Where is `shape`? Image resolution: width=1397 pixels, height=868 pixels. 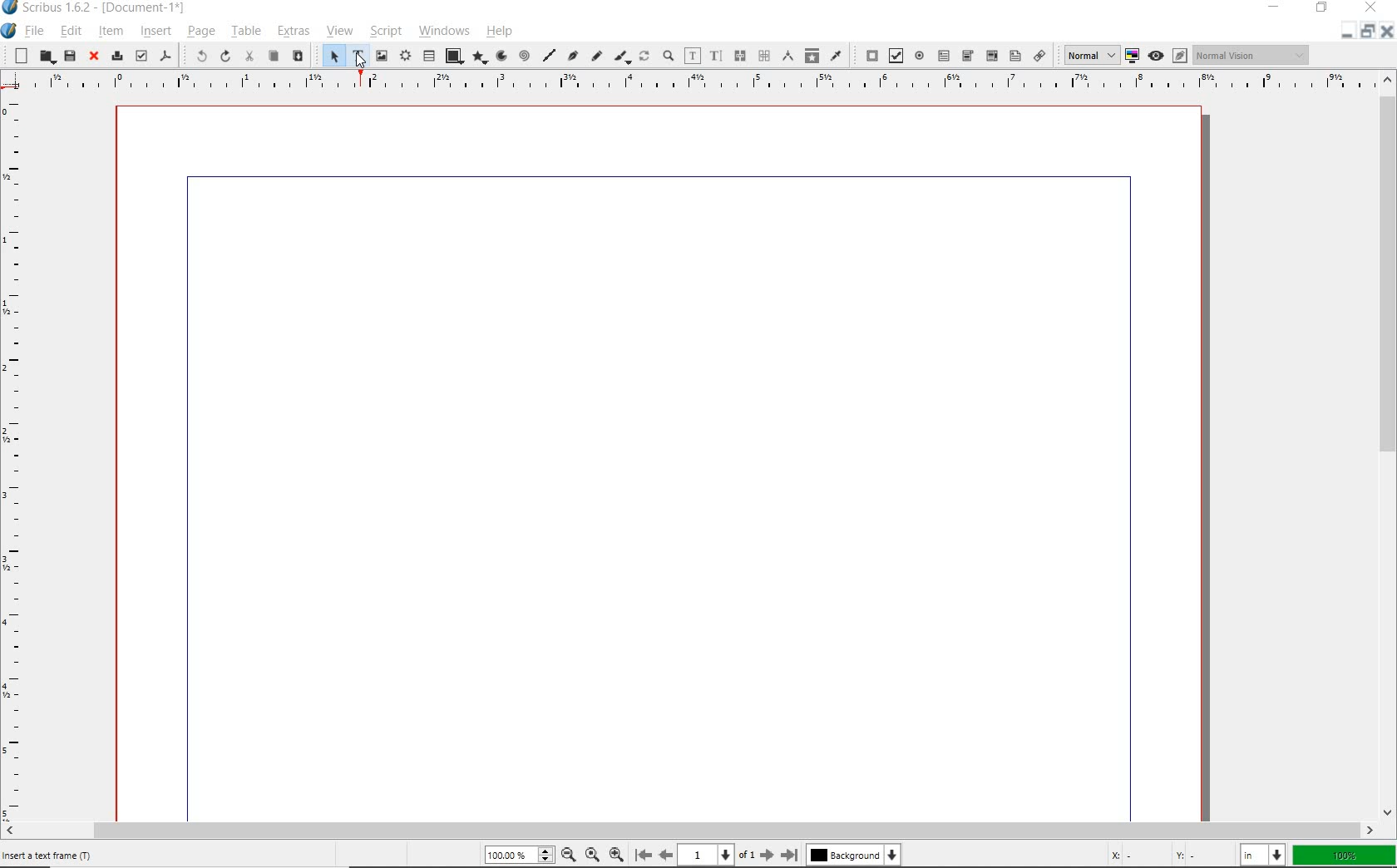
shape is located at coordinates (453, 55).